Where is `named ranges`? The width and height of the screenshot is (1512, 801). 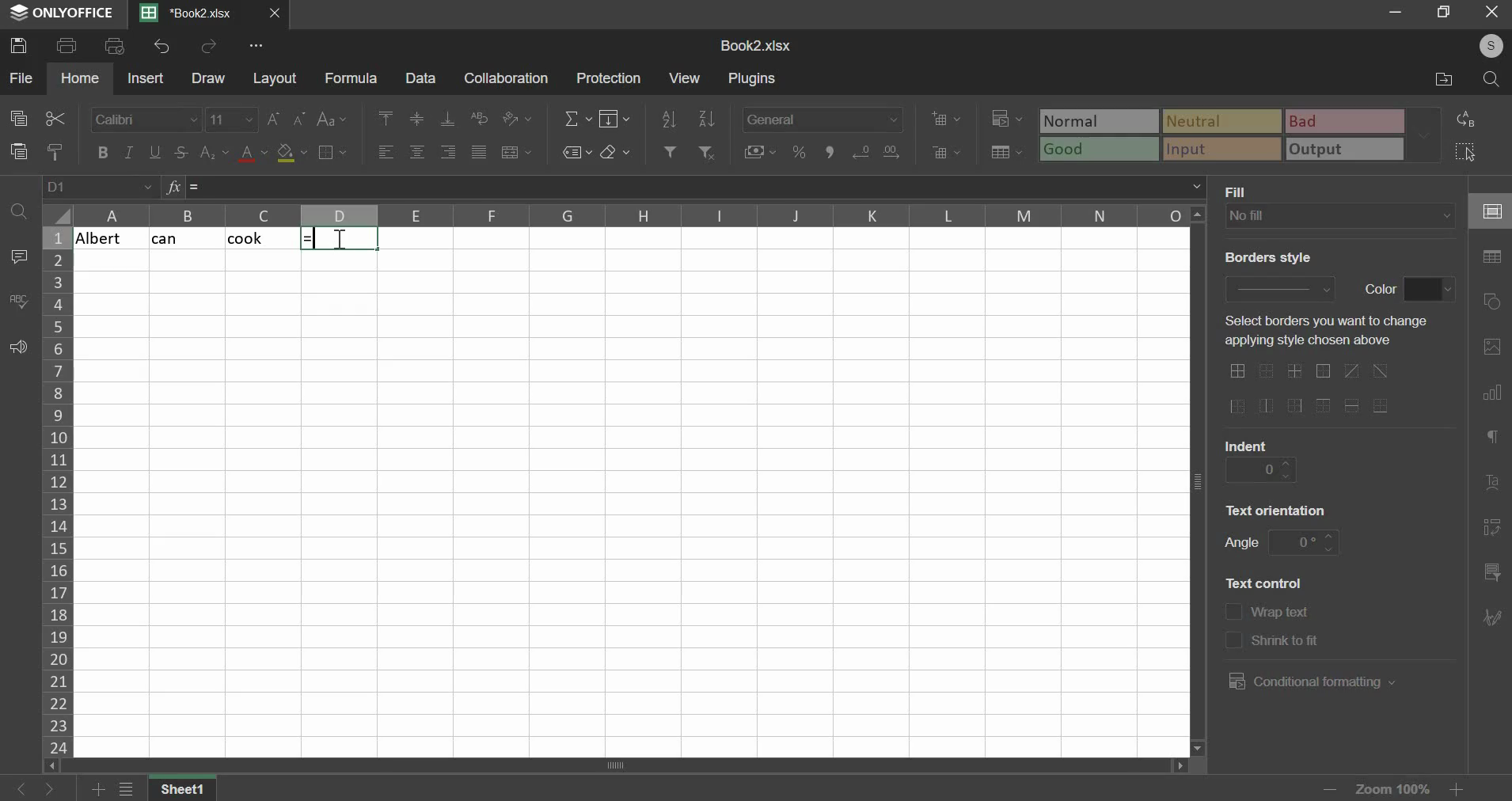
named ranges is located at coordinates (576, 152).